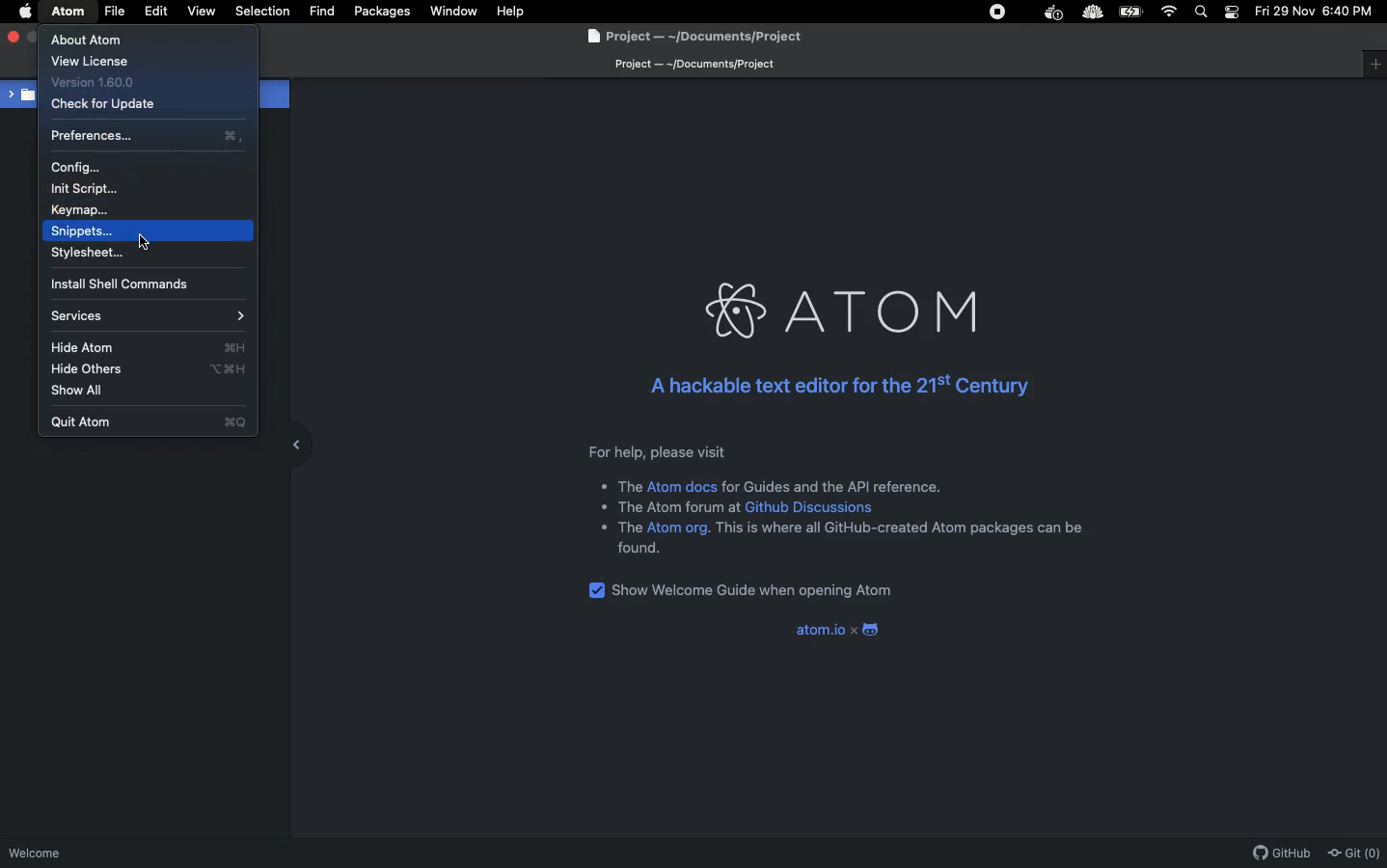 Image resolution: width=1387 pixels, height=868 pixels. I want to click on View, so click(202, 12).